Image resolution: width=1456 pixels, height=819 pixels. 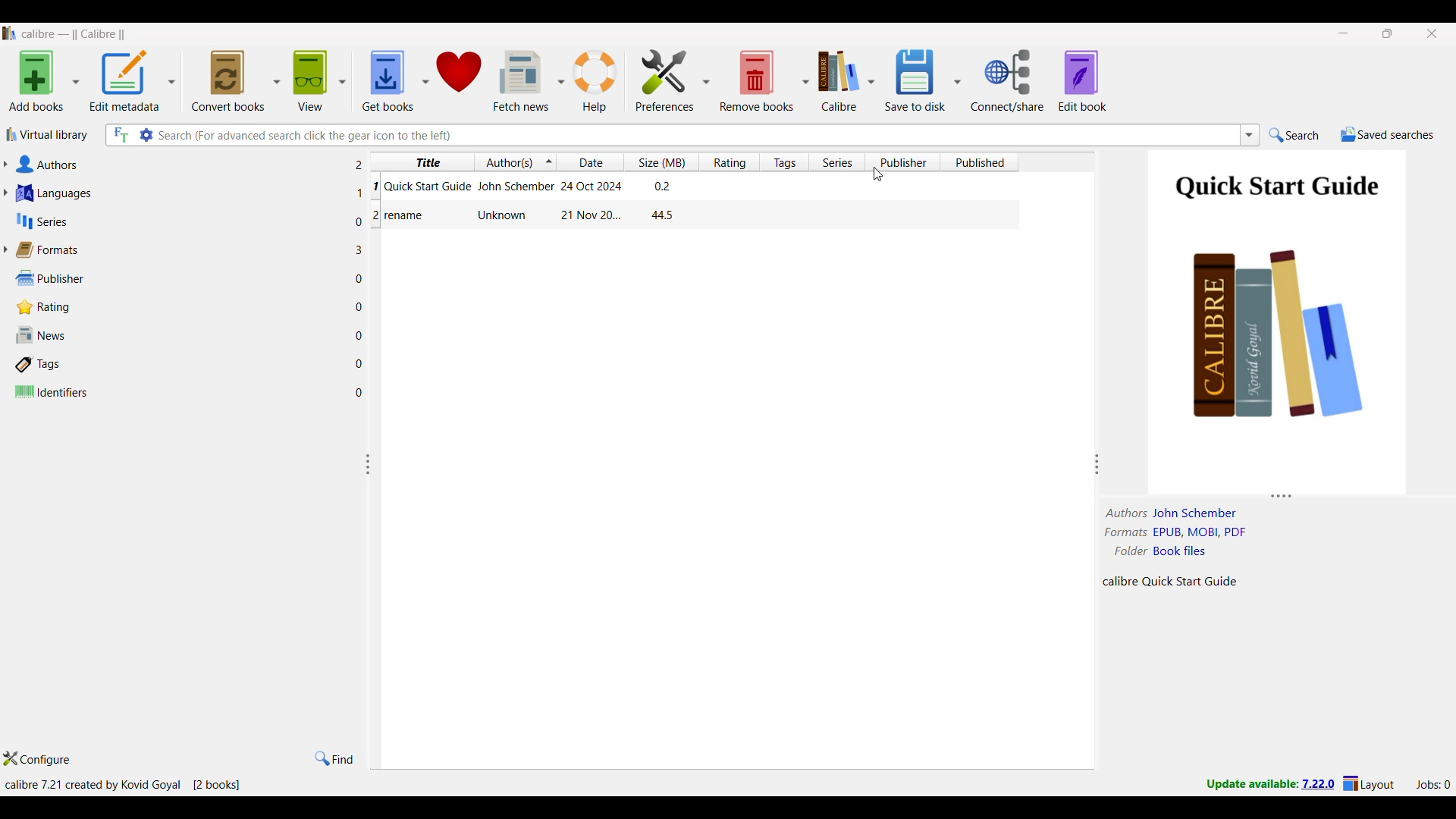 What do you see at coordinates (1294, 134) in the screenshot?
I see `Search` at bounding box center [1294, 134].